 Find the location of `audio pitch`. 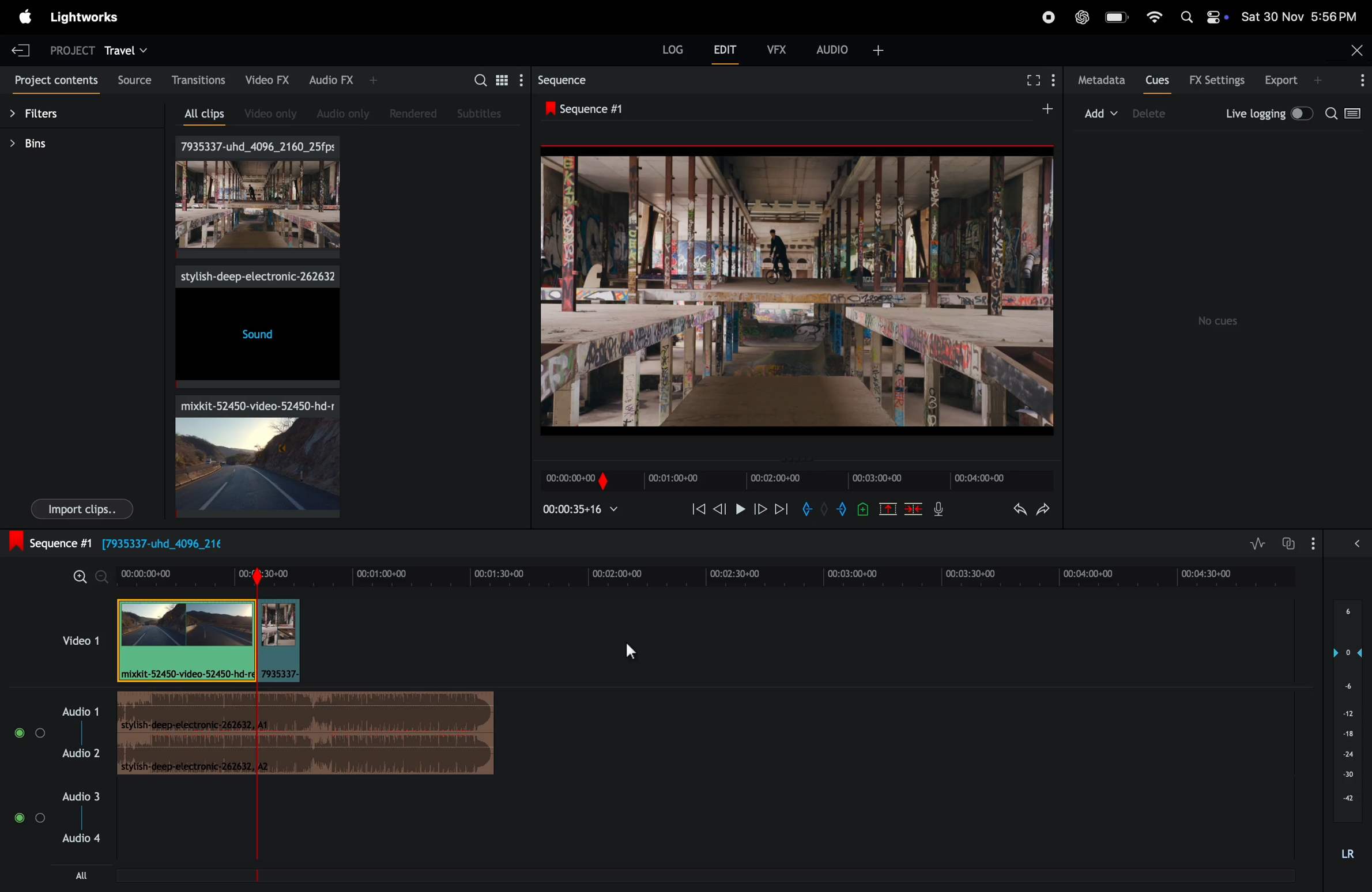

audio pitch is located at coordinates (1351, 731).